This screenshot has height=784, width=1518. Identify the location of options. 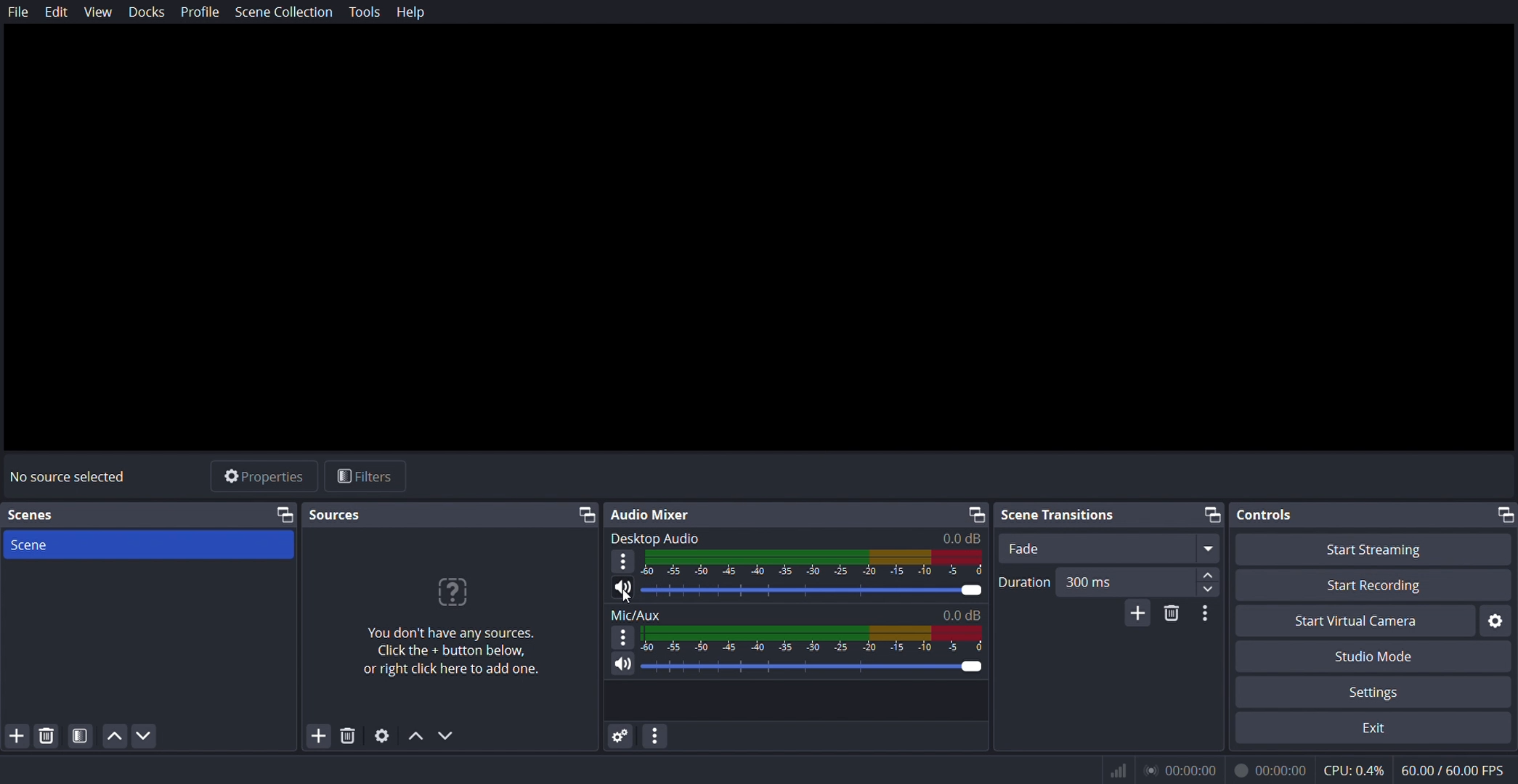
(622, 563).